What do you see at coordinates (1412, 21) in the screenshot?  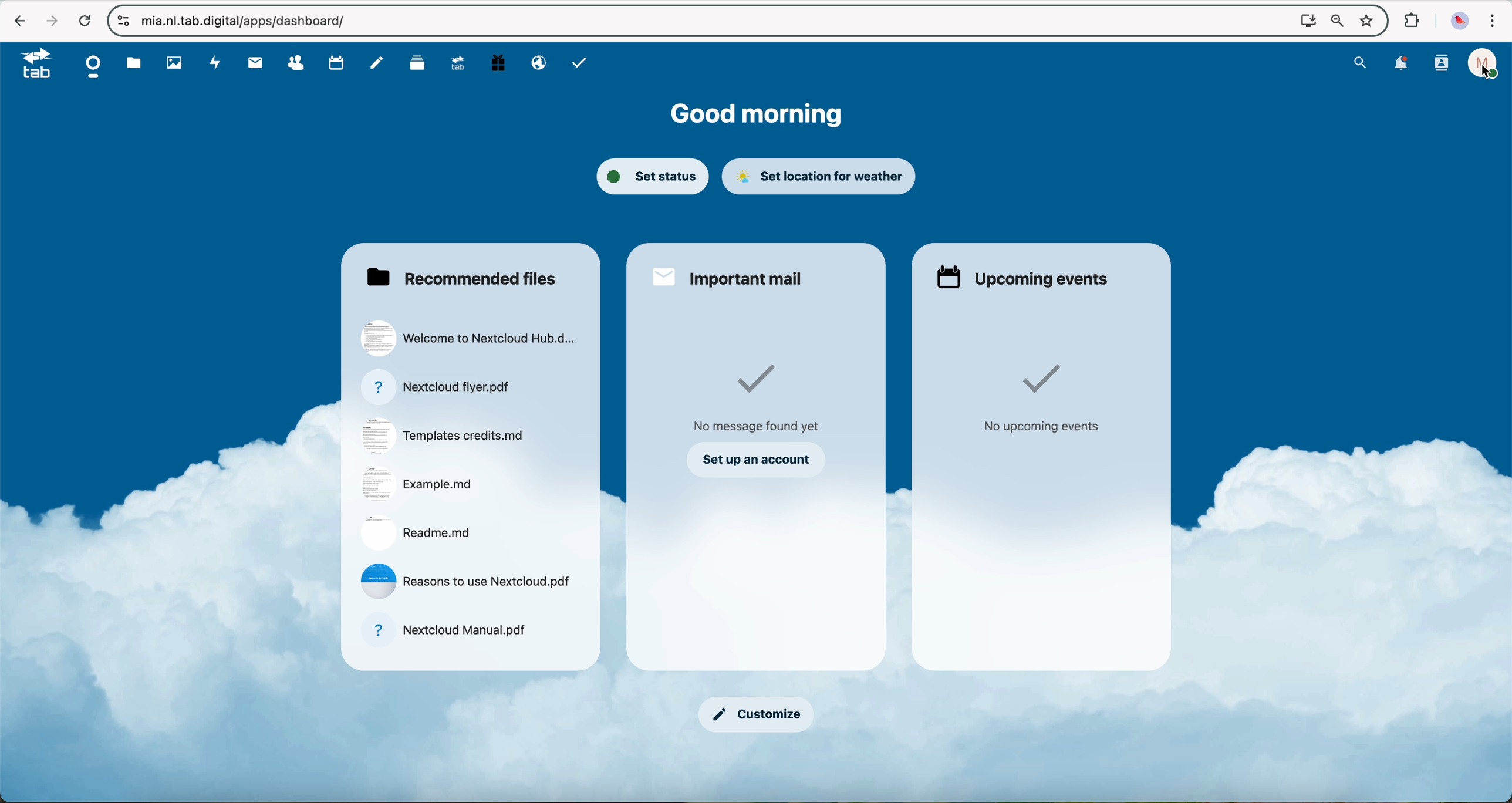 I see `extensions` at bounding box center [1412, 21].